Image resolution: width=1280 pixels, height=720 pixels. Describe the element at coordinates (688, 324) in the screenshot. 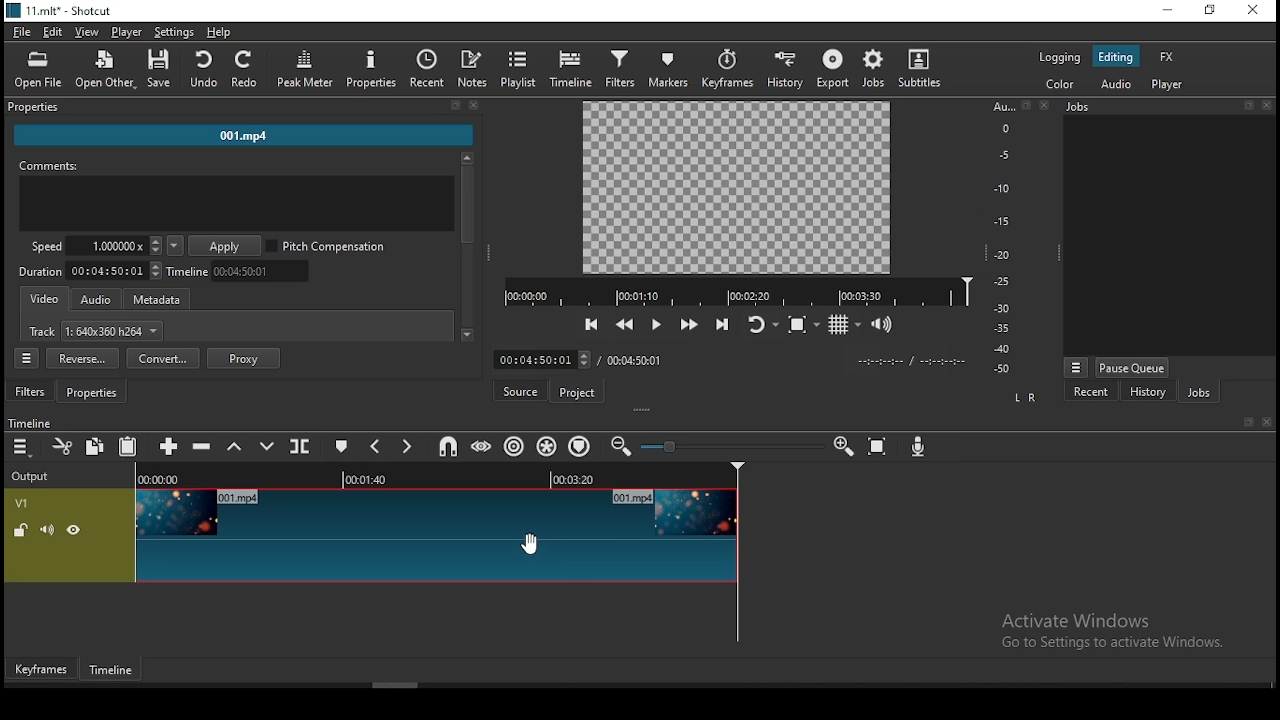

I see `play quickly forwards` at that location.